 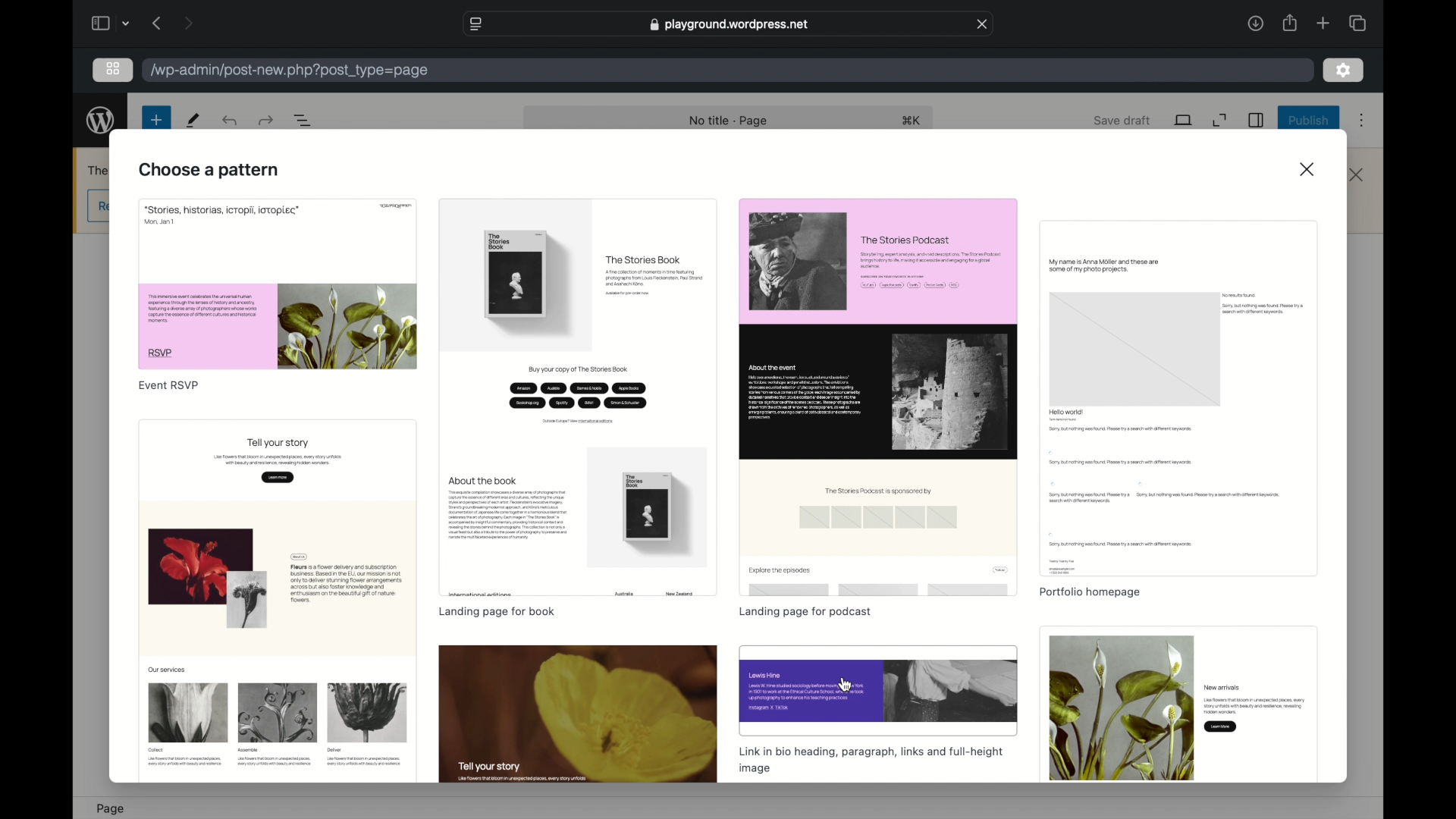 I want to click on undo, so click(x=265, y=120).